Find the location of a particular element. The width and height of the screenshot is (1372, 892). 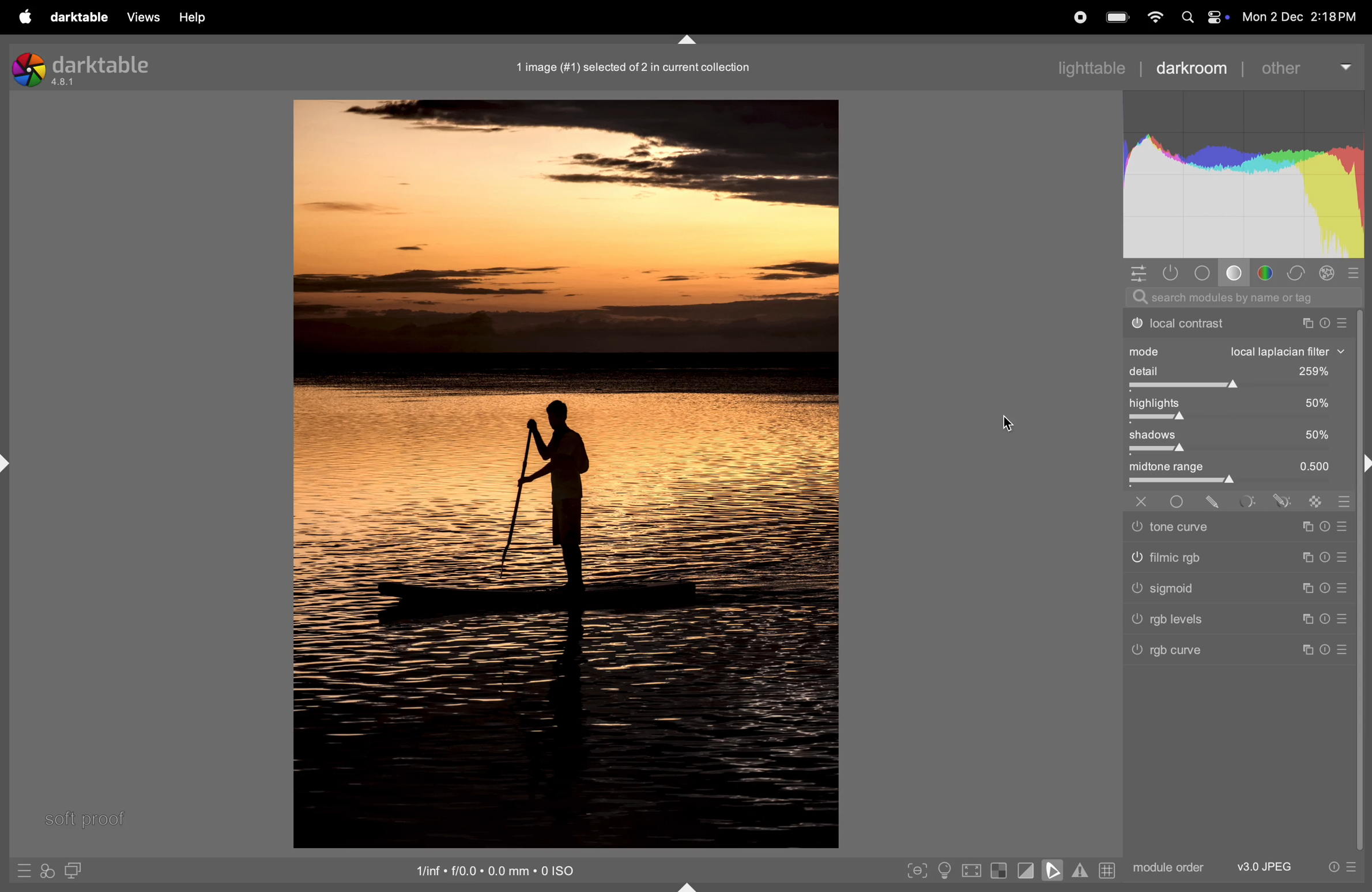

quick access panel is located at coordinates (1136, 273).